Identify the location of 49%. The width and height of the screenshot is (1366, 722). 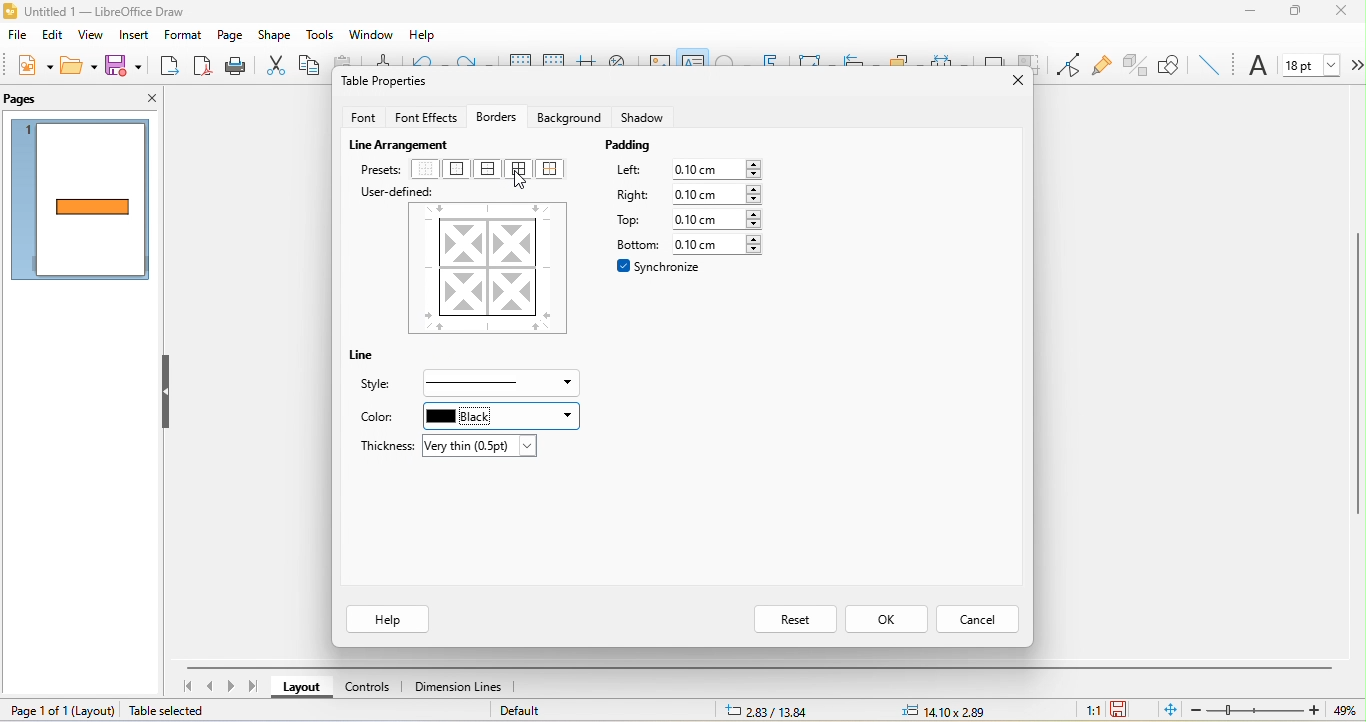
(1343, 711).